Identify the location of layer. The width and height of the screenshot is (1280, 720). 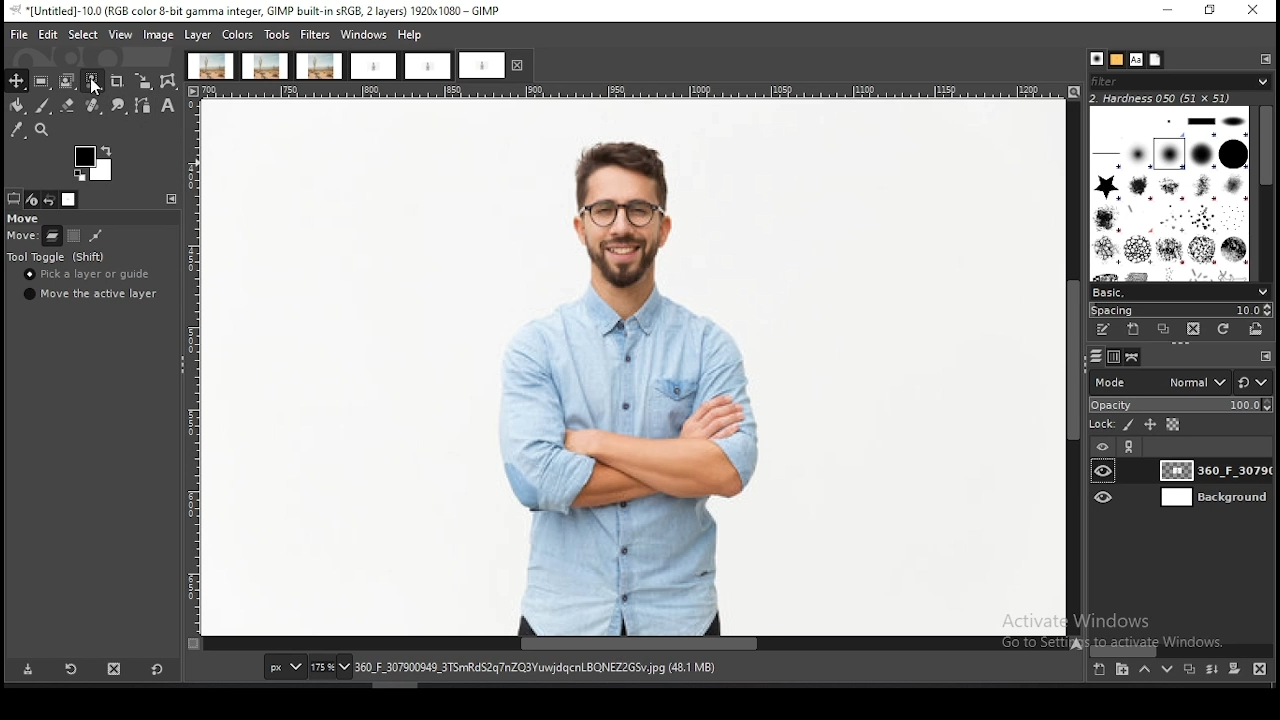
(1212, 470).